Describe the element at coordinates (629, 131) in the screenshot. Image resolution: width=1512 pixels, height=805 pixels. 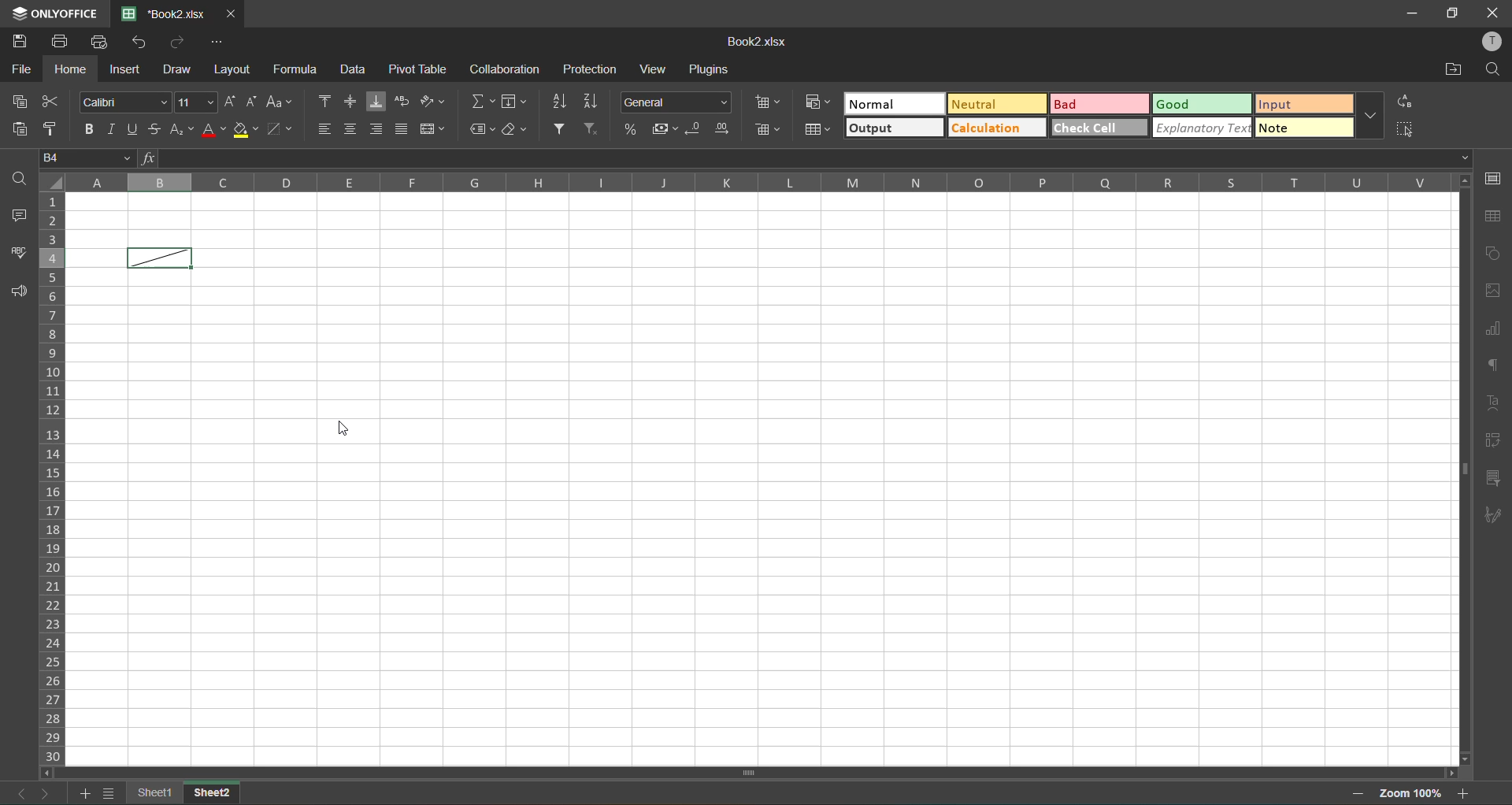
I see `percent` at that location.